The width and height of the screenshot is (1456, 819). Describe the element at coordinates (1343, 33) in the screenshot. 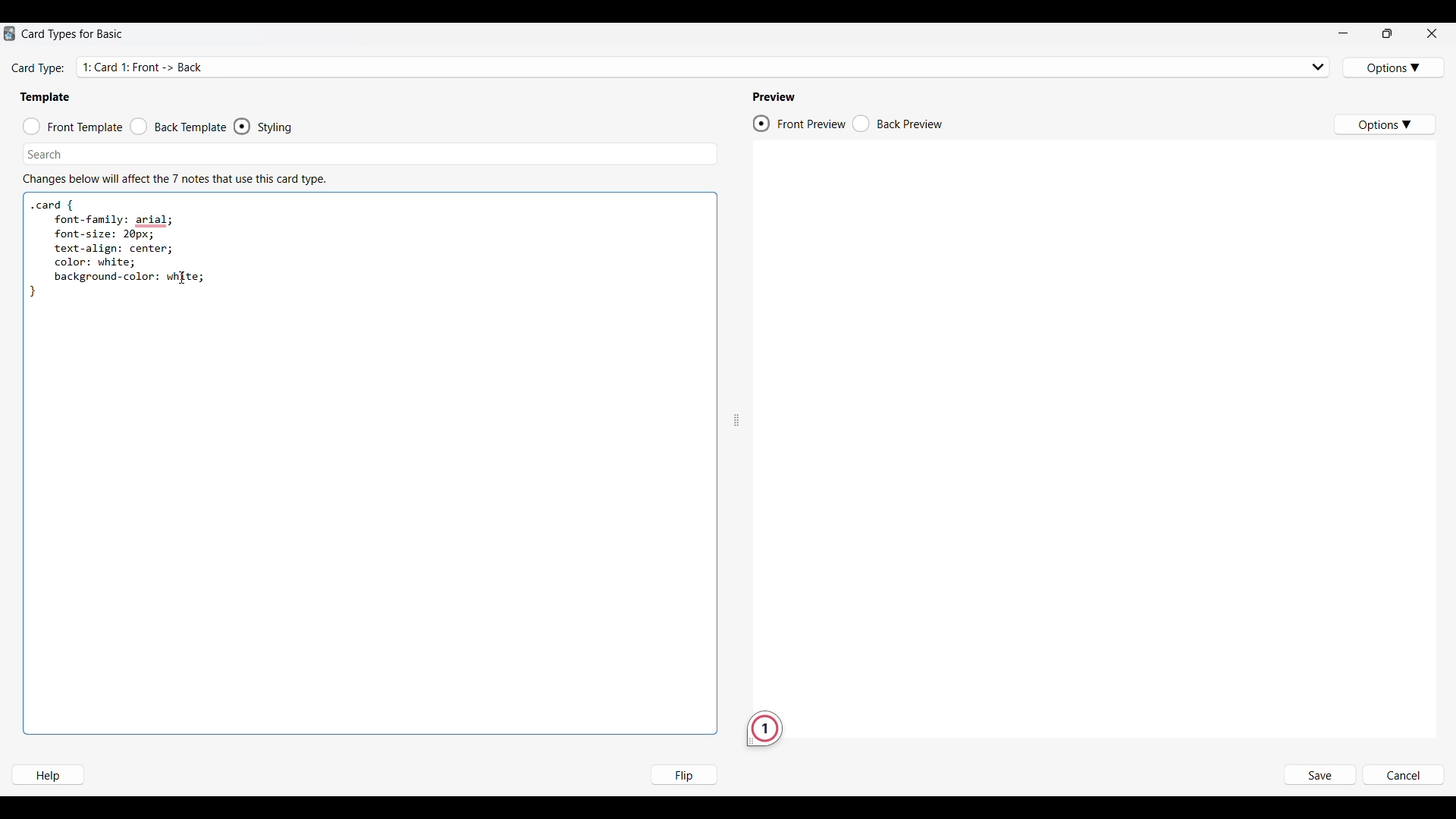

I see `Minimize` at that location.